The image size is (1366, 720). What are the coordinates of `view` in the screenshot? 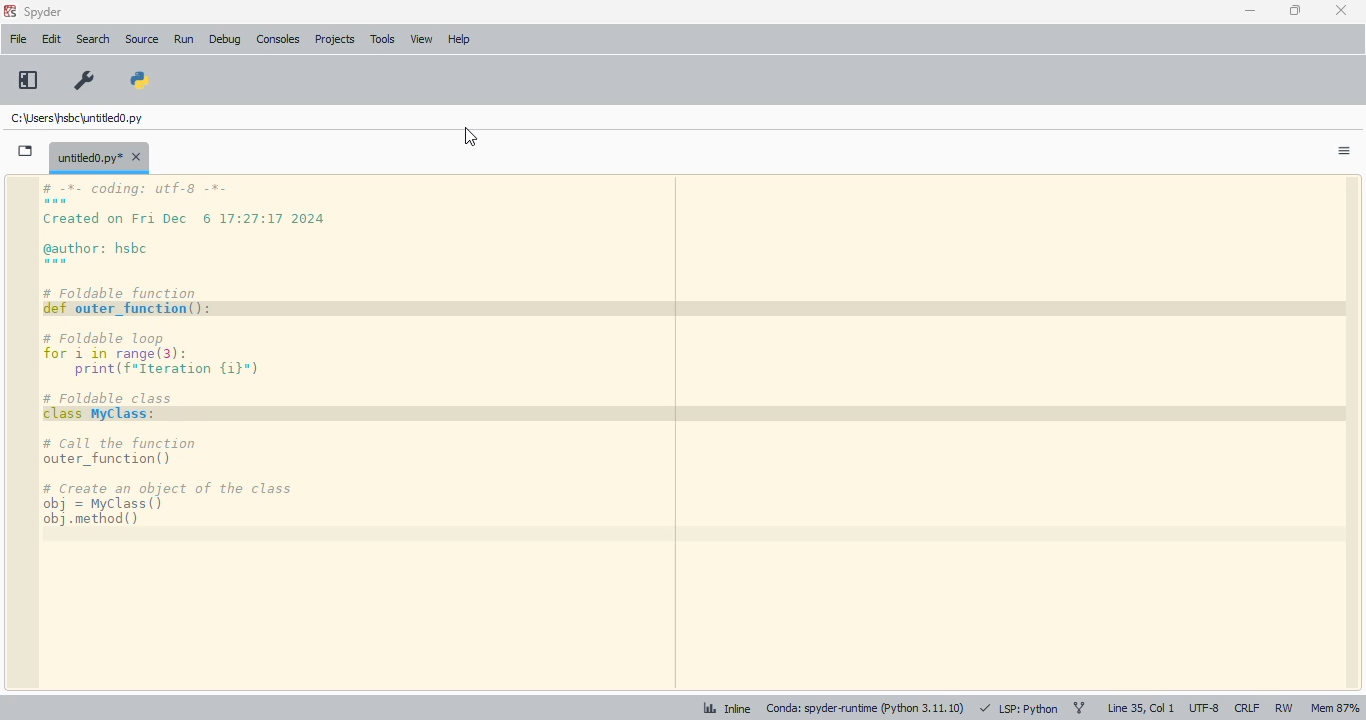 It's located at (423, 39).